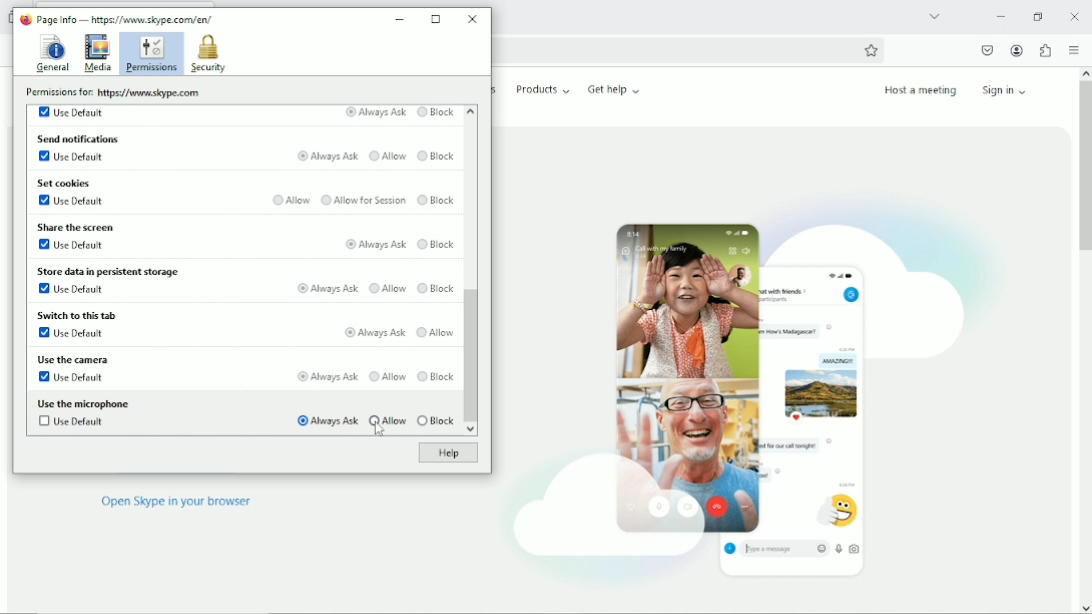 The image size is (1092, 614). I want to click on Block, so click(437, 201).